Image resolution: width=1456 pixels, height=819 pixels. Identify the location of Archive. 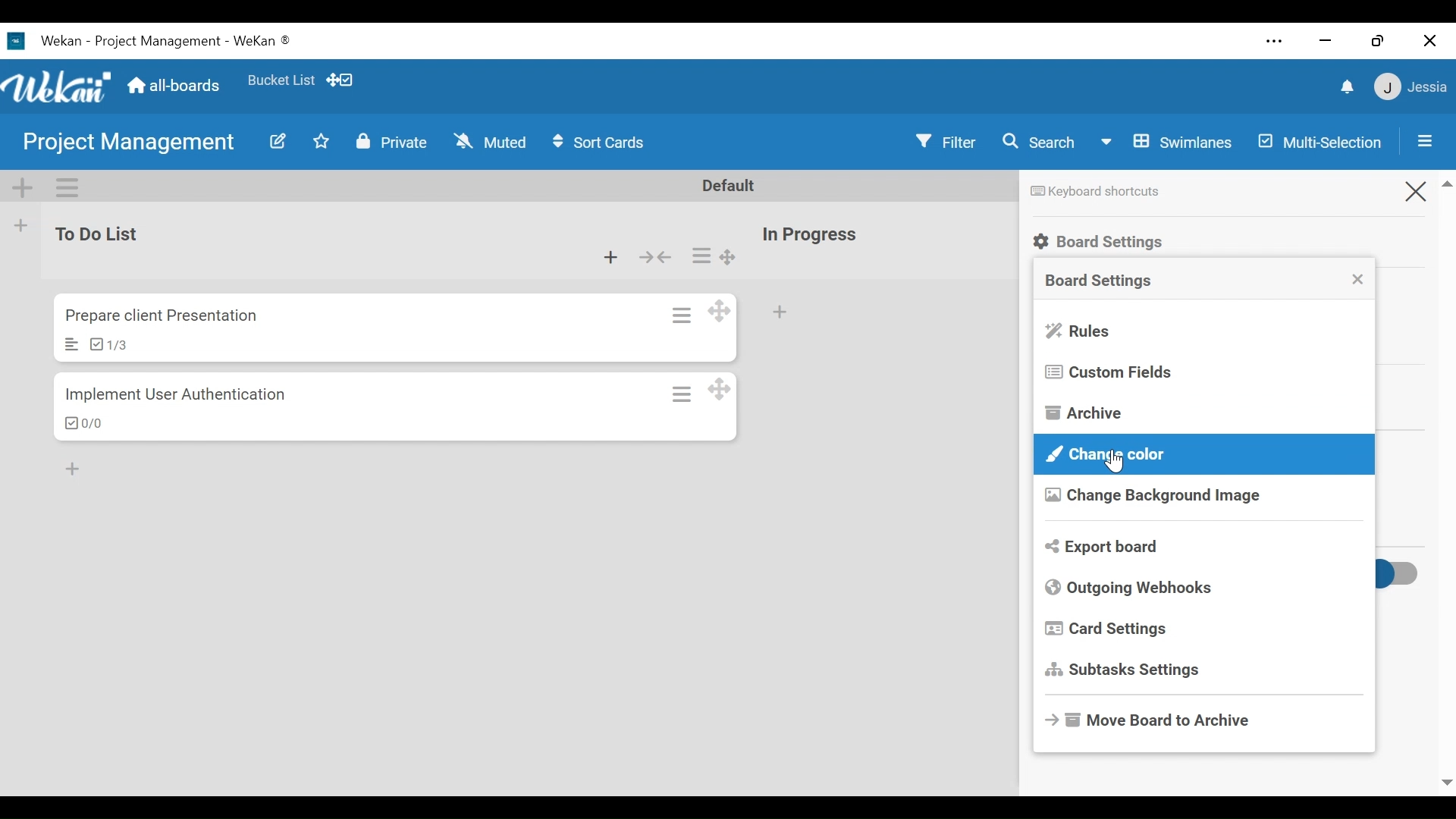
(1086, 414).